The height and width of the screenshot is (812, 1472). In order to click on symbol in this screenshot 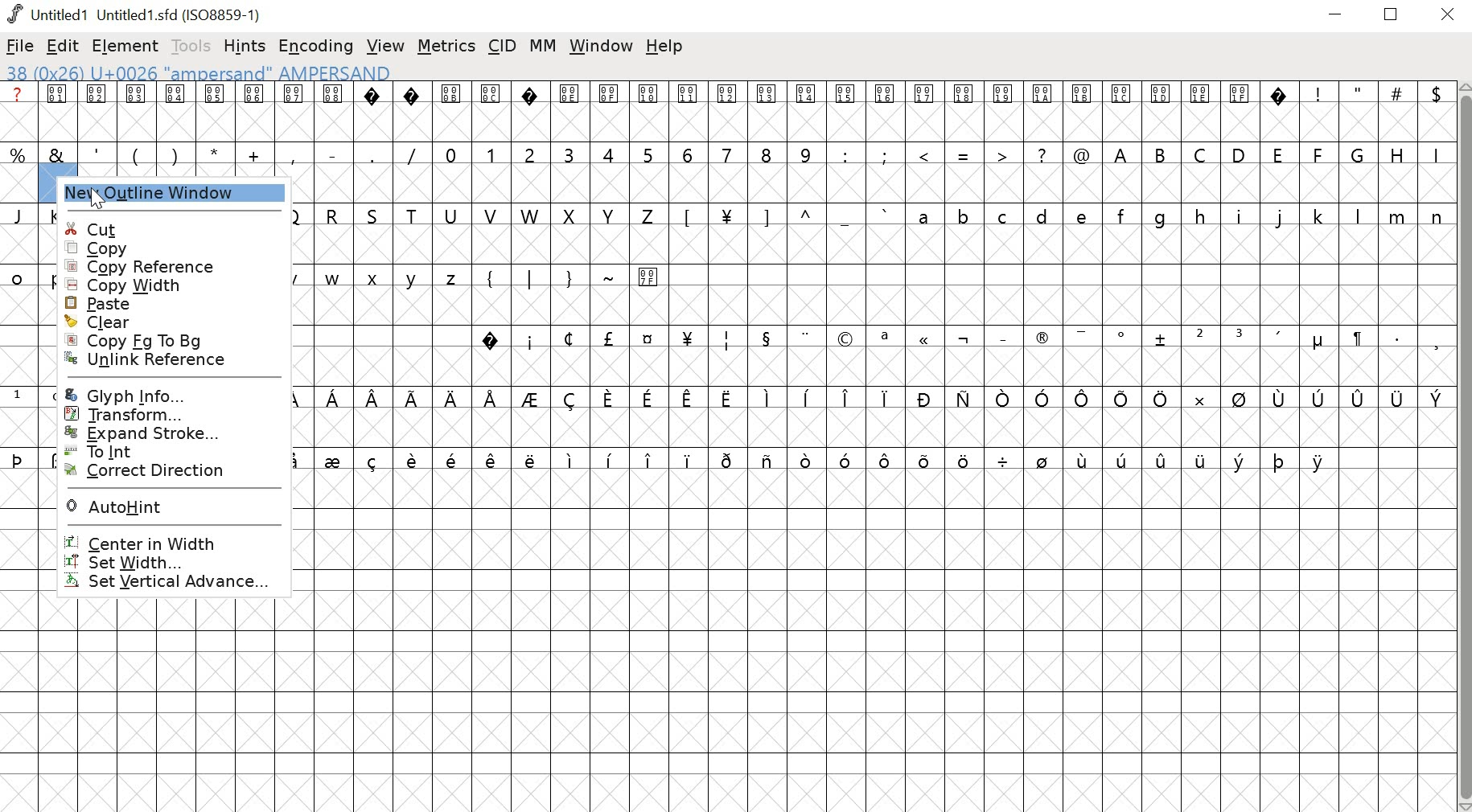, I will do `click(647, 399)`.